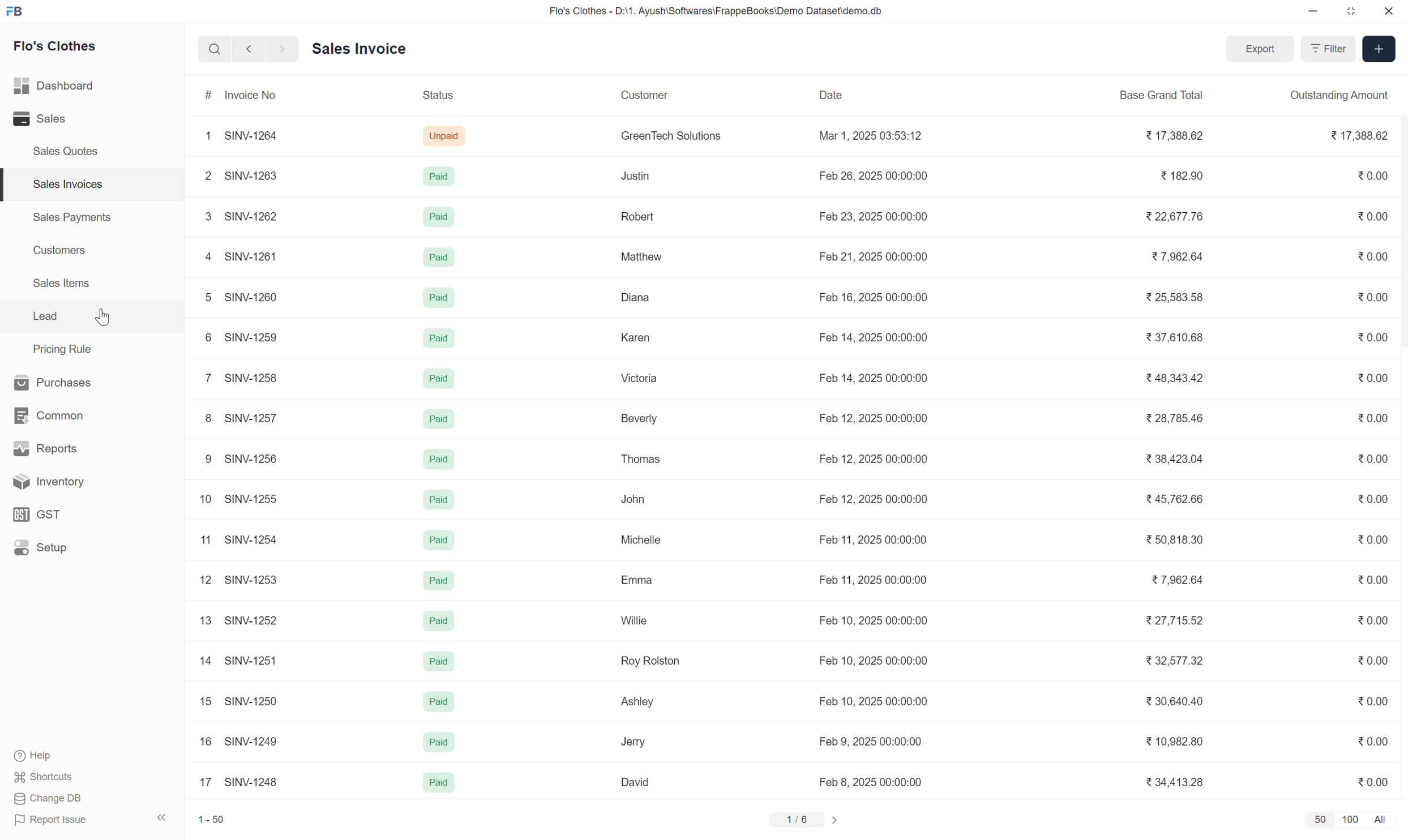 The width and height of the screenshot is (1408, 840). I want to click on Mar 1. 2025 03:53:12, so click(870, 135).